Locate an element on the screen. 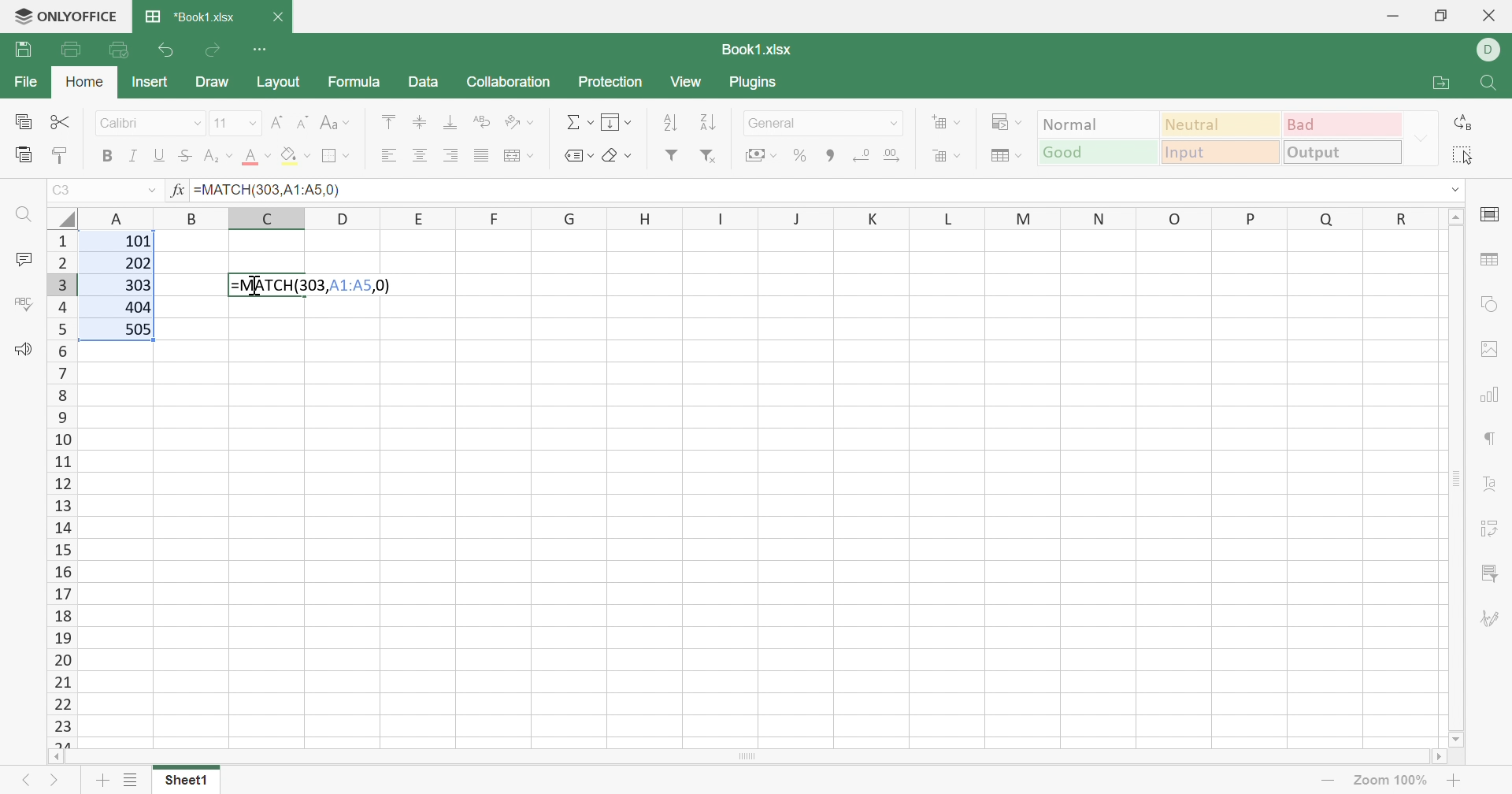 This screenshot has width=1512, height=794. Scroll Bar settings is located at coordinates (1458, 477).